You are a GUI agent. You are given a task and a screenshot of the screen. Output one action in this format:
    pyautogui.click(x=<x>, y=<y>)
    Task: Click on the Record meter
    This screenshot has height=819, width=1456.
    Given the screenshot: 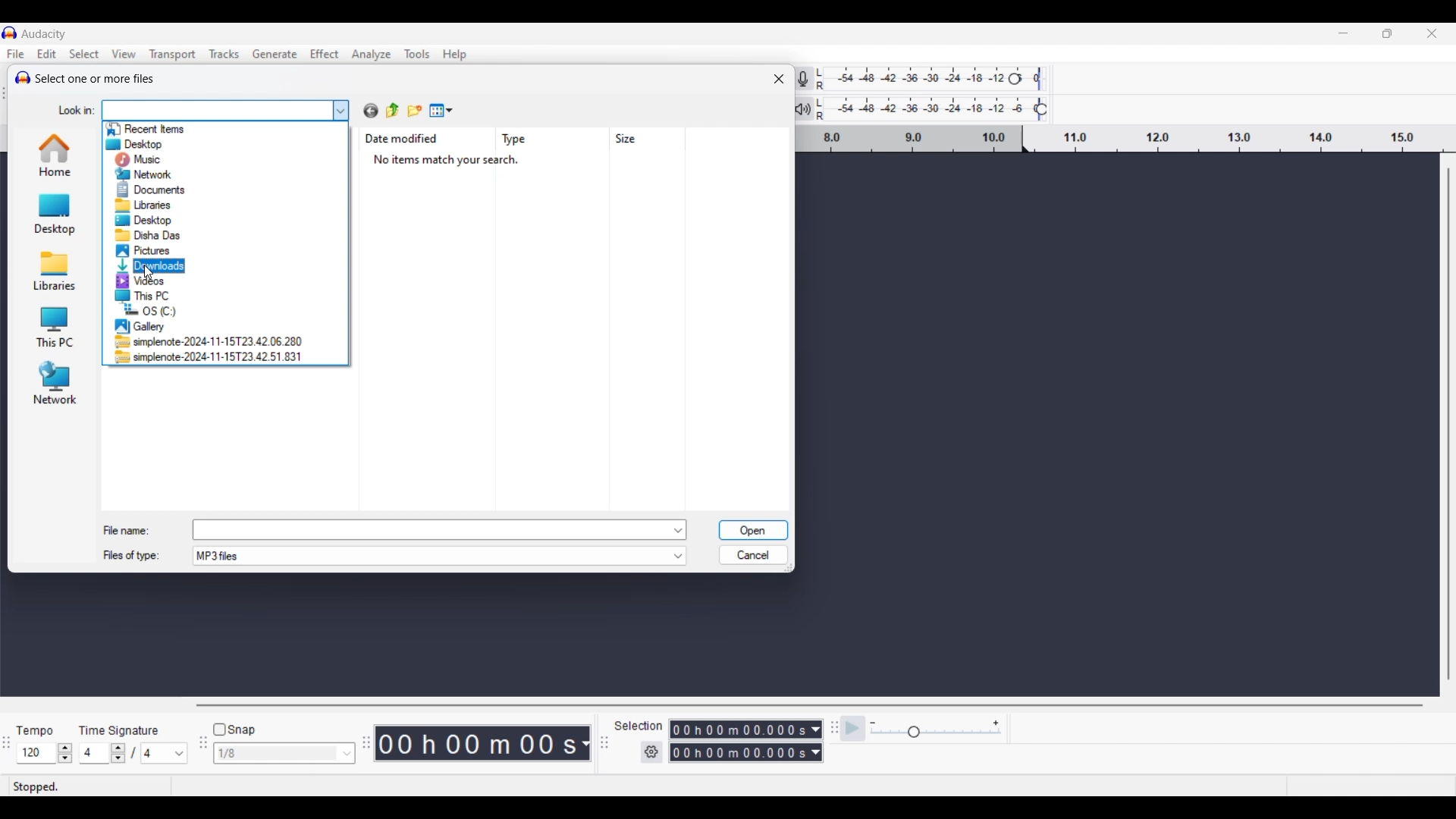 What is the action you would take?
    pyautogui.click(x=813, y=78)
    